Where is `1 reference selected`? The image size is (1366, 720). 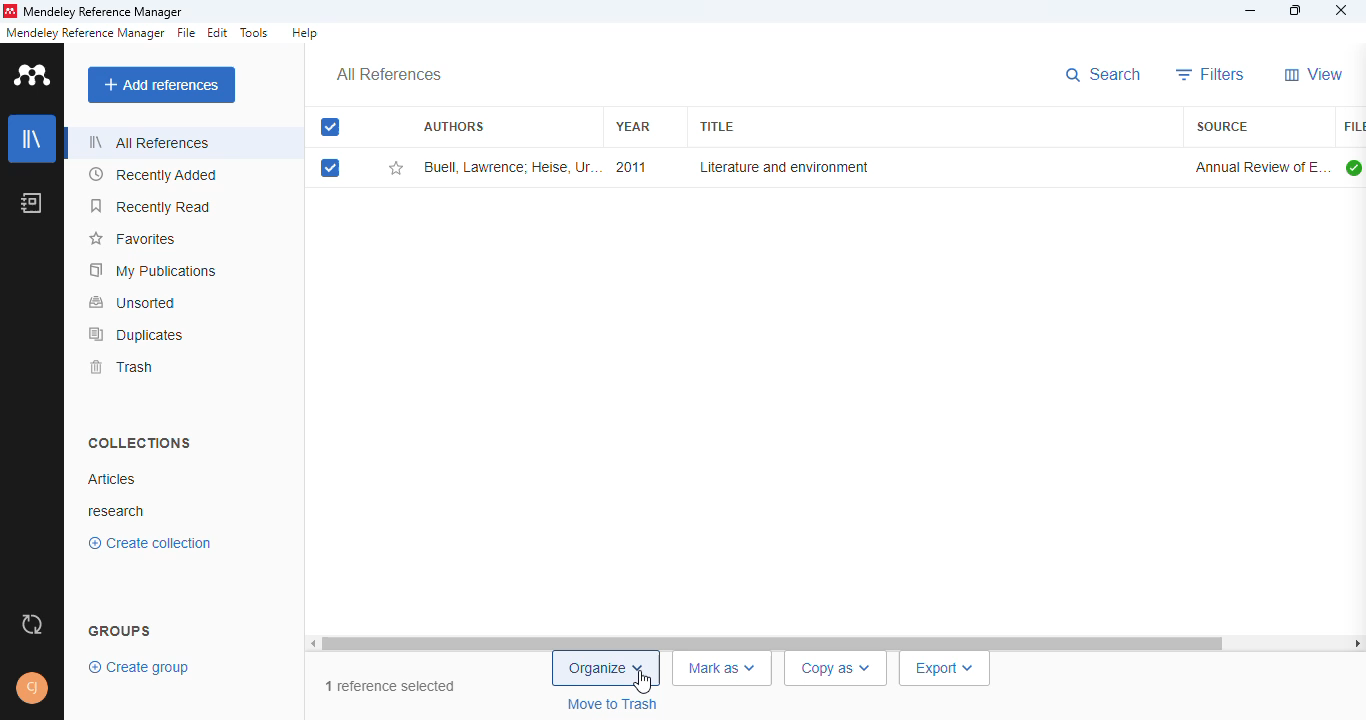
1 reference selected is located at coordinates (391, 687).